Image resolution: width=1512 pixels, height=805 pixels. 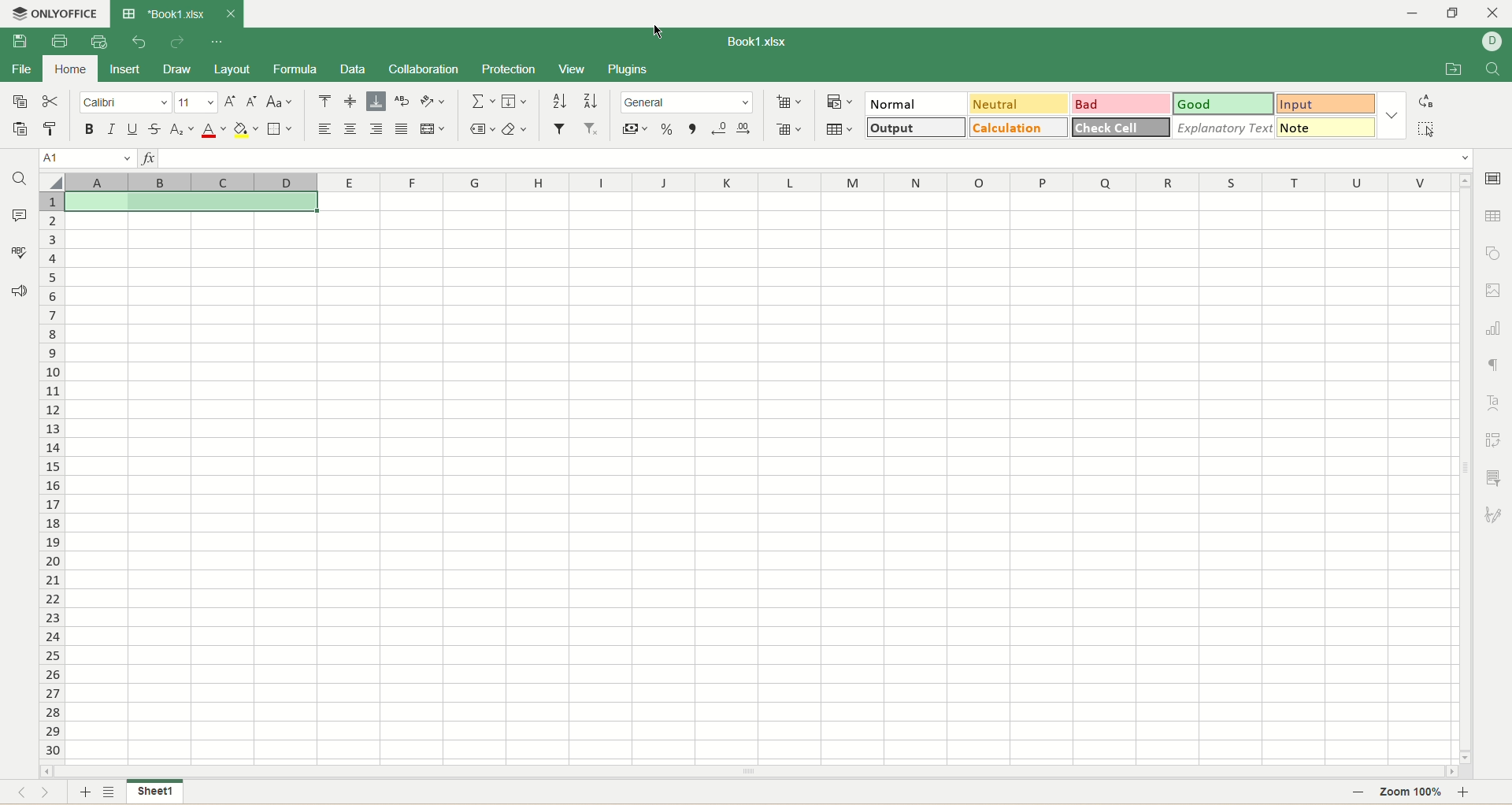 What do you see at coordinates (111, 793) in the screenshot?
I see `sheet list` at bounding box center [111, 793].